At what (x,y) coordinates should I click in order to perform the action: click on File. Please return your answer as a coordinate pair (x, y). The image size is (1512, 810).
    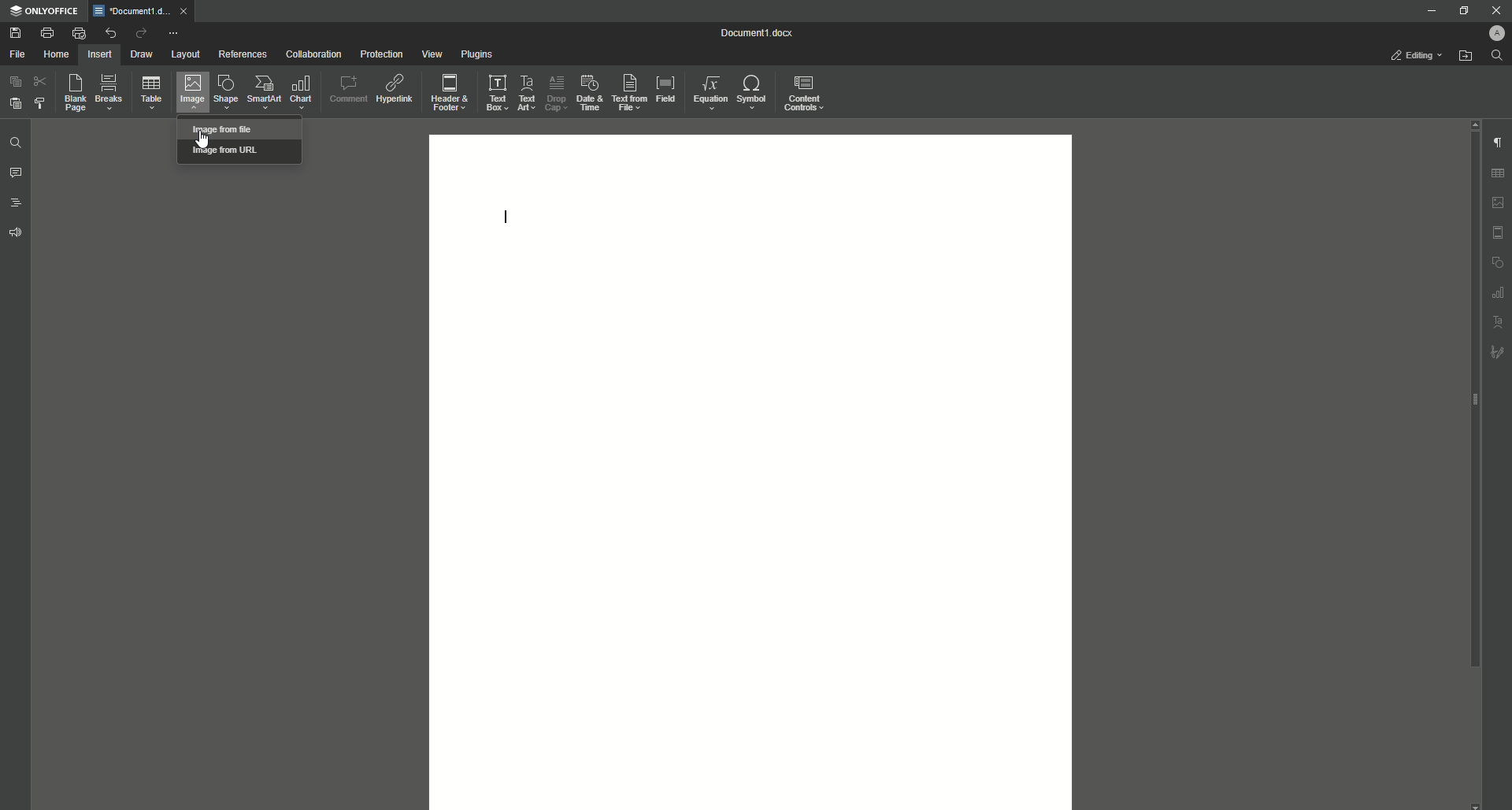
    Looking at the image, I should click on (17, 55).